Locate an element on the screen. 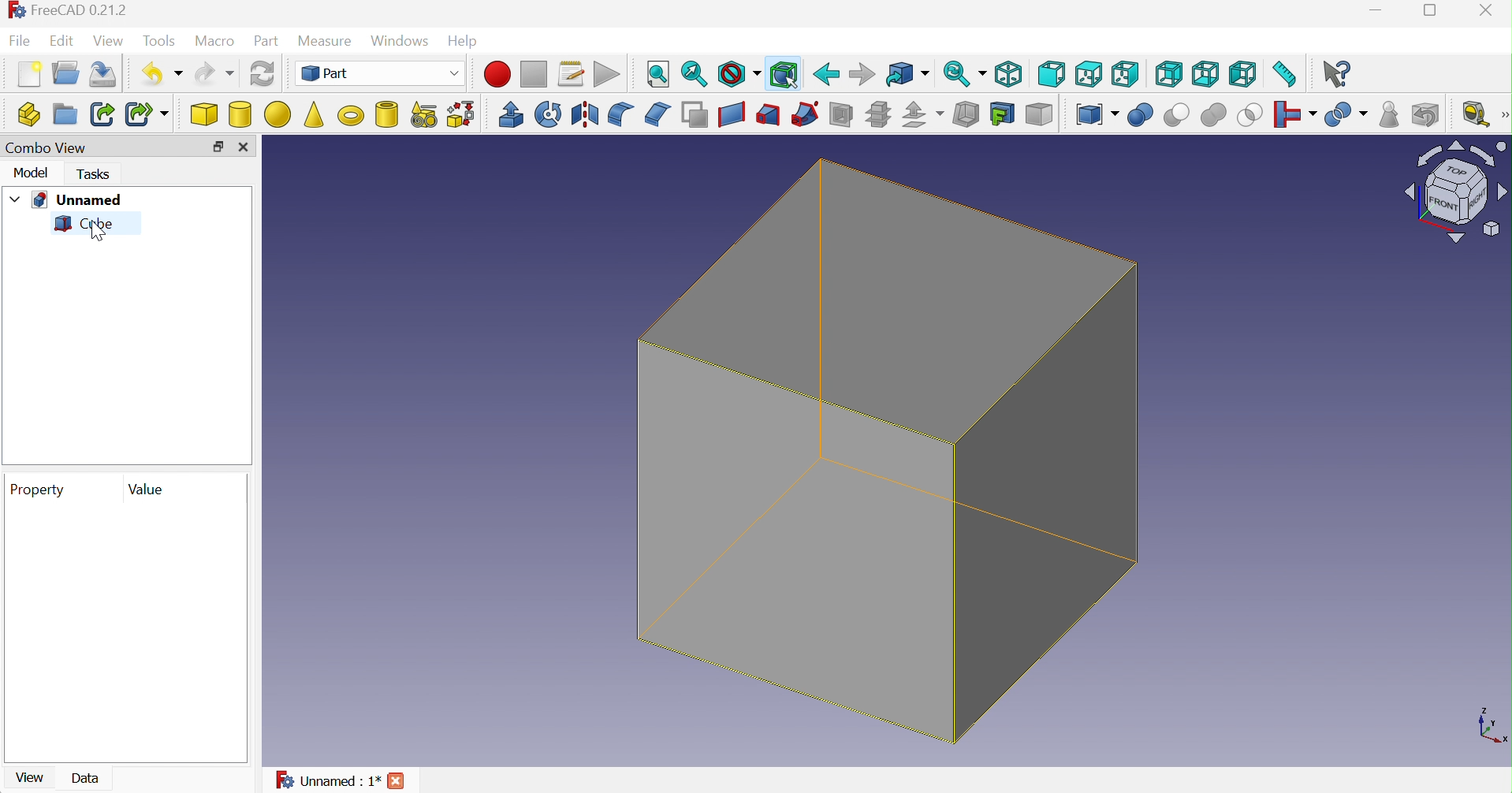 Image resolution: width=1512 pixels, height=793 pixels. cursor is located at coordinates (99, 231).